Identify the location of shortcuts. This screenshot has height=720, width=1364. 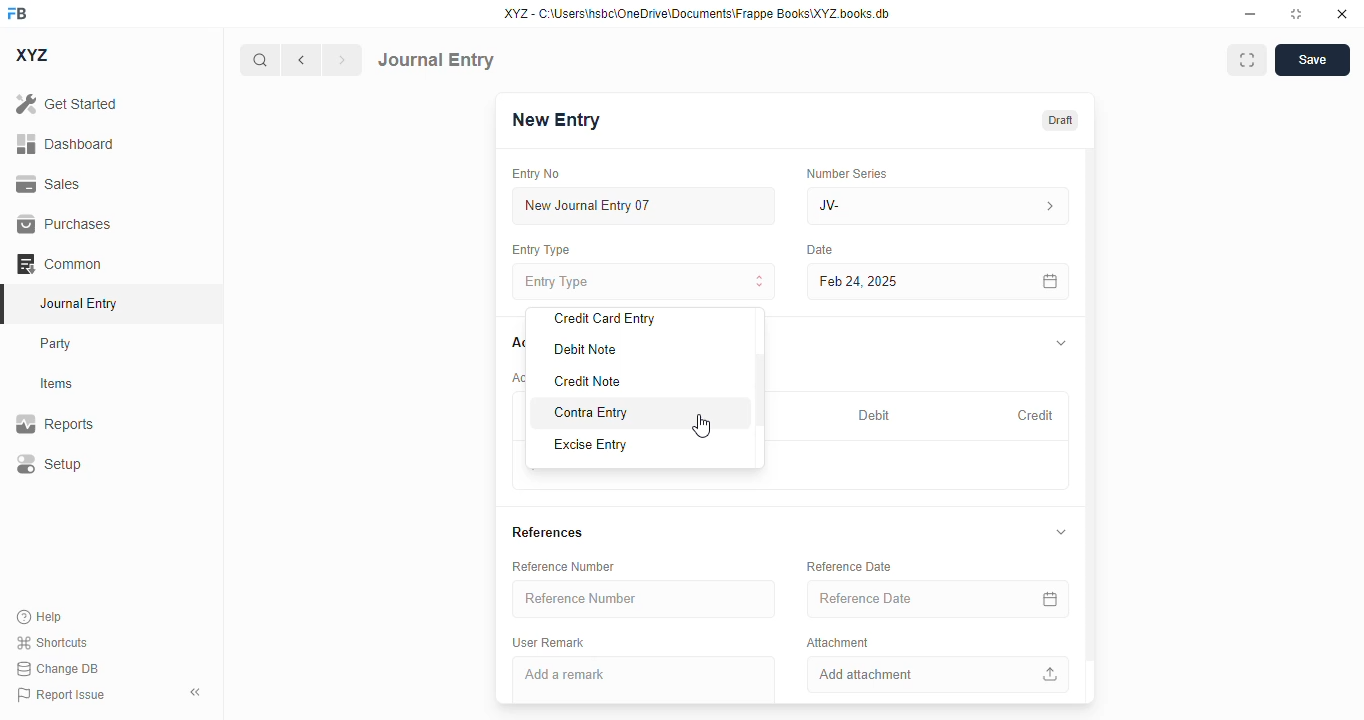
(52, 642).